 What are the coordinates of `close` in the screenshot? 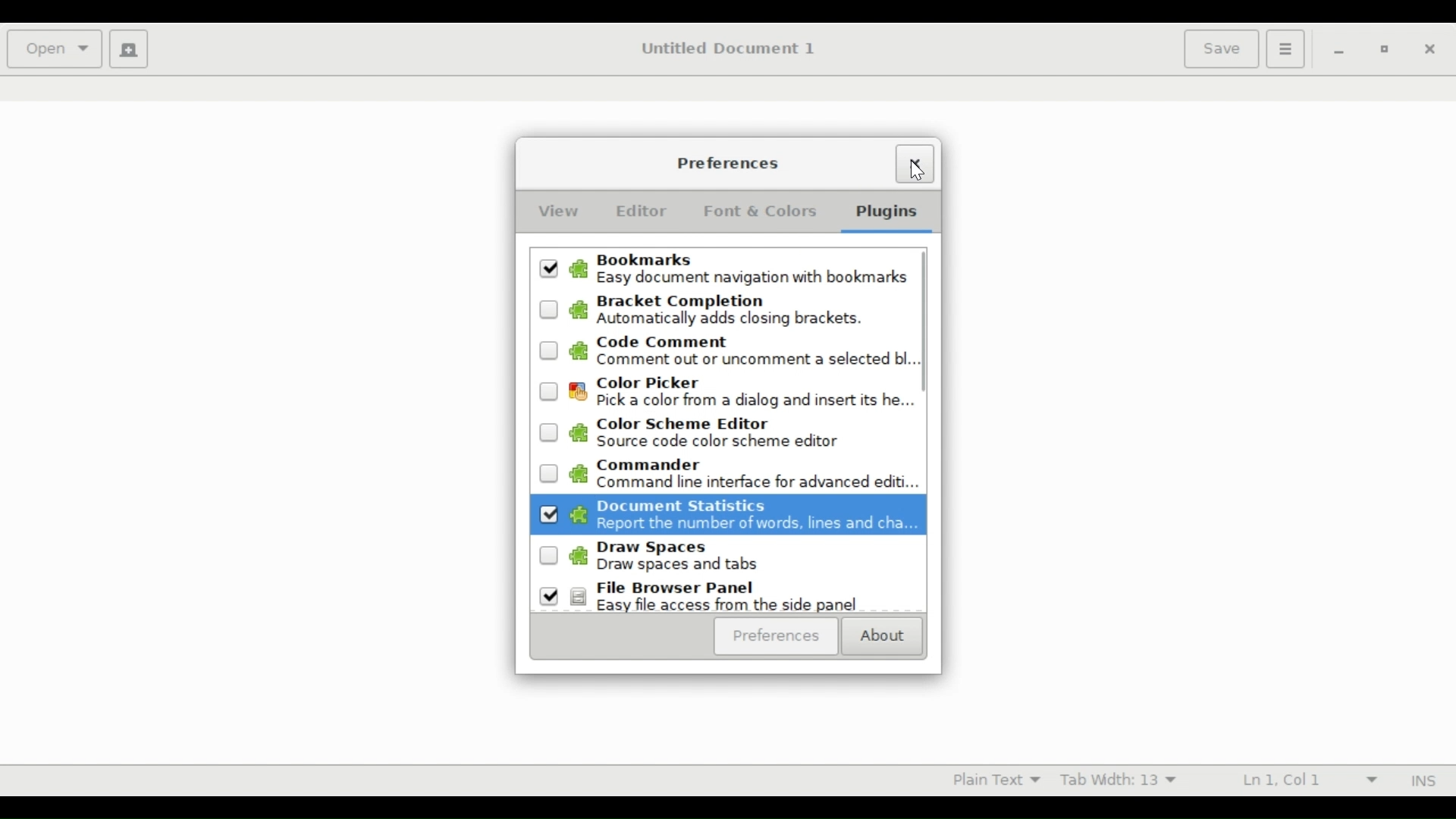 It's located at (1429, 49).